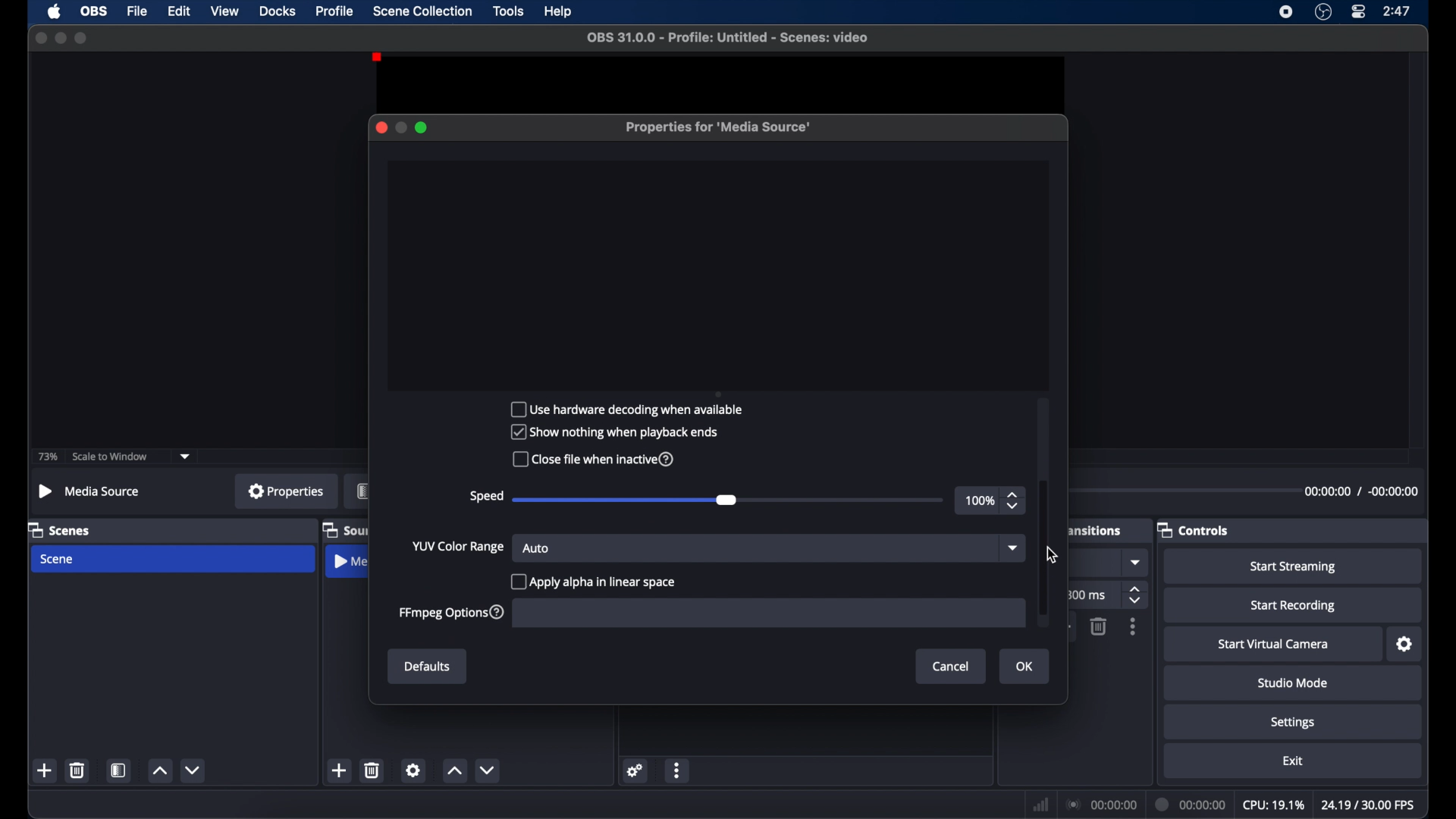  What do you see at coordinates (1404, 645) in the screenshot?
I see `settings` at bounding box center [1404, 645].